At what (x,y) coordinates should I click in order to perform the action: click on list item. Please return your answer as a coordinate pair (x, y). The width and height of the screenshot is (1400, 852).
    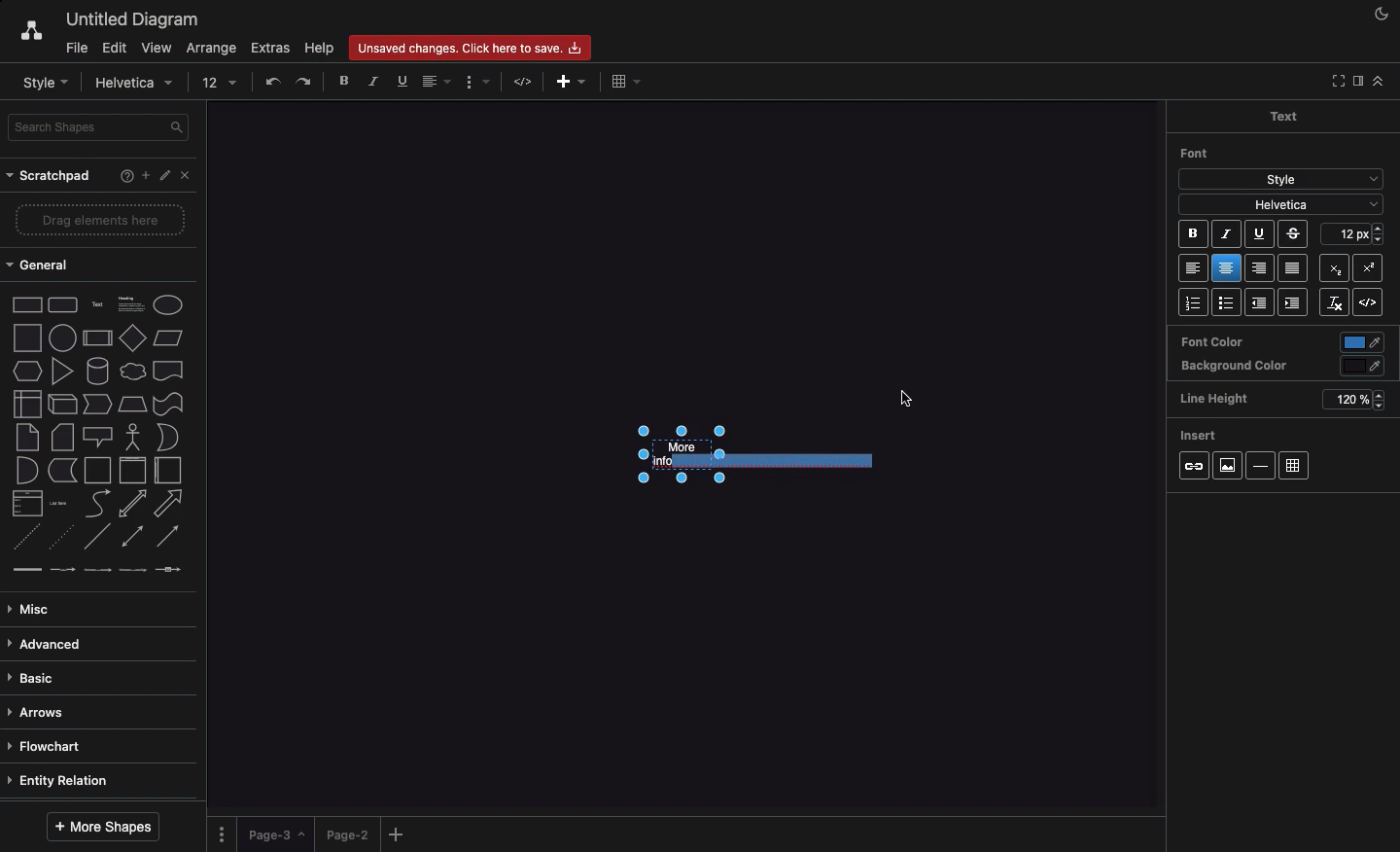
    Looking at the image, I should click on (59, 504).